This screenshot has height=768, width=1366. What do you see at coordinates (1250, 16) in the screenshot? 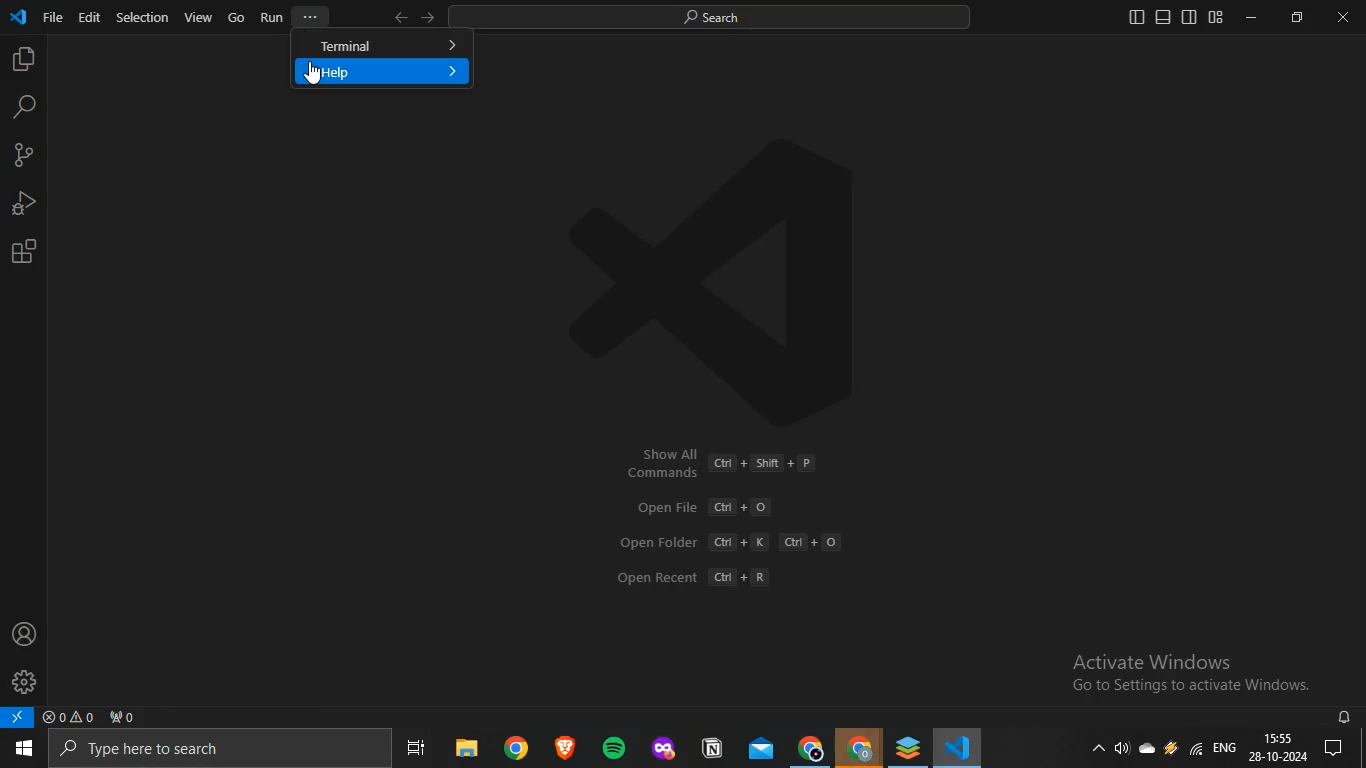
I see `minimize` at bounding box center [1250, 16].